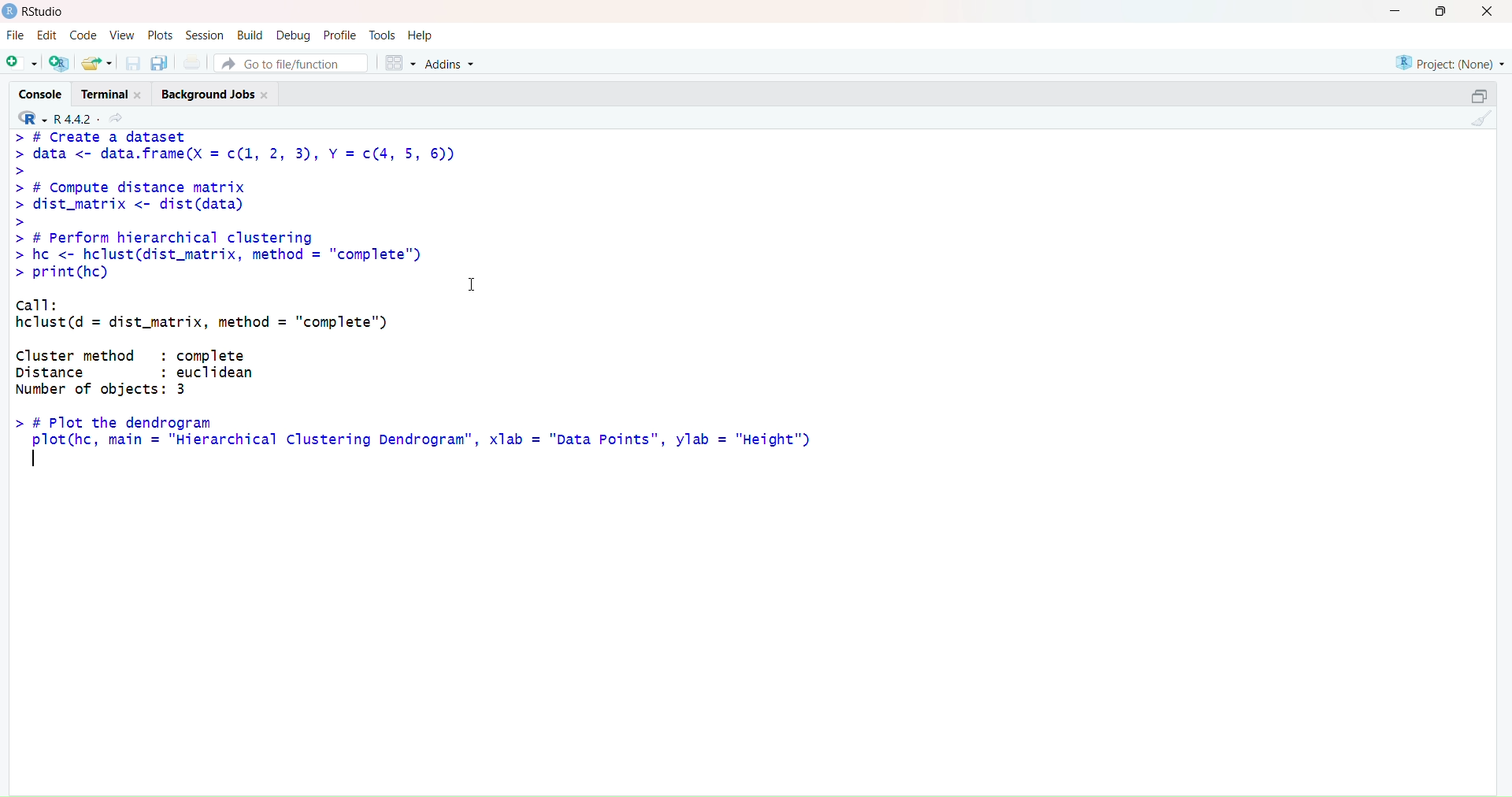 This screenshot has width=1512, height=797. Describe the element at coordinates (421, 36) in the screenshot. I see `Help` at that location.